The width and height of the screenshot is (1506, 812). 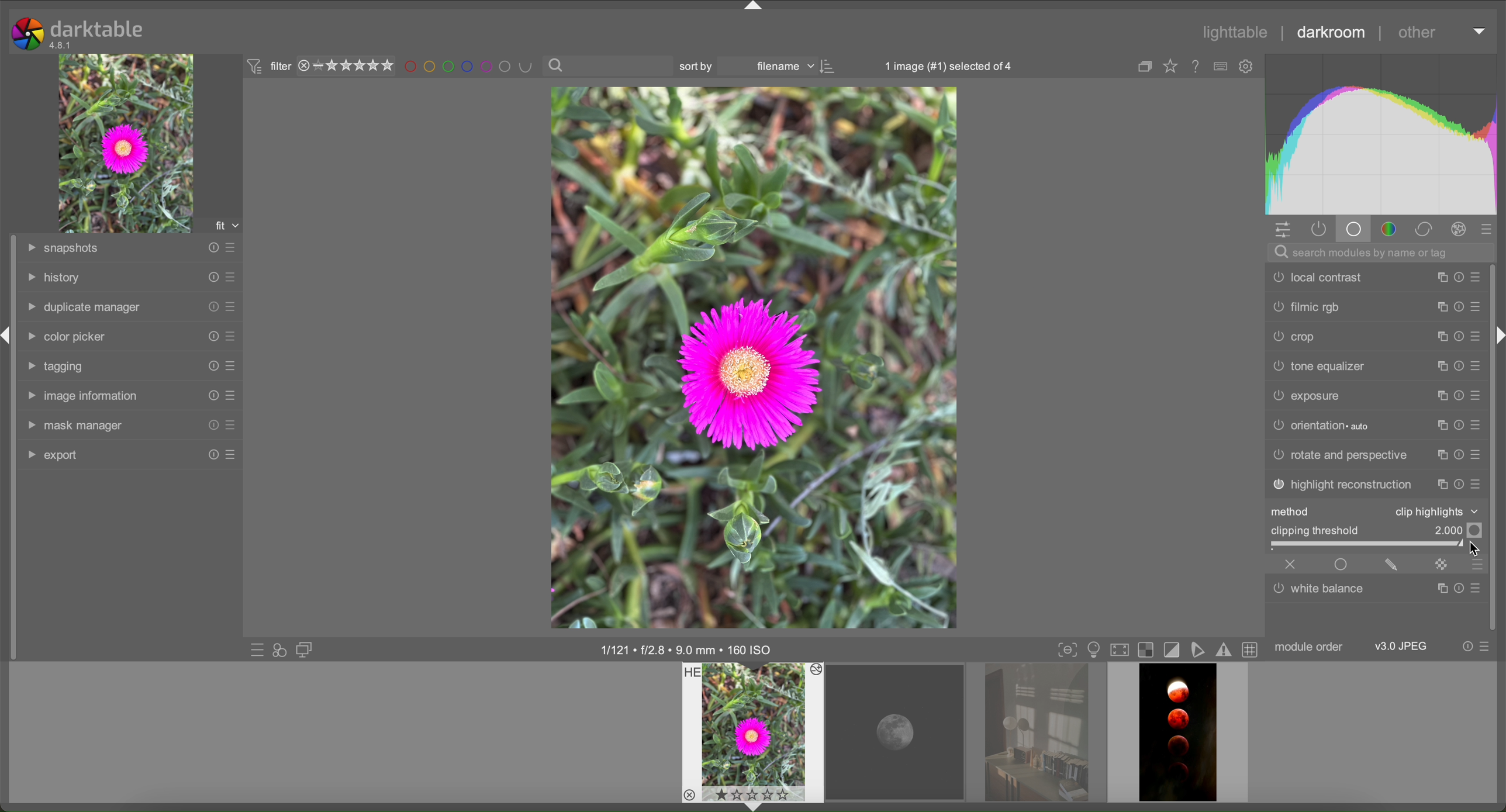 What do you see at coordinates (1458, 426) in the screenshot?
I see `reset presets` at bounding box center [1458, 426].